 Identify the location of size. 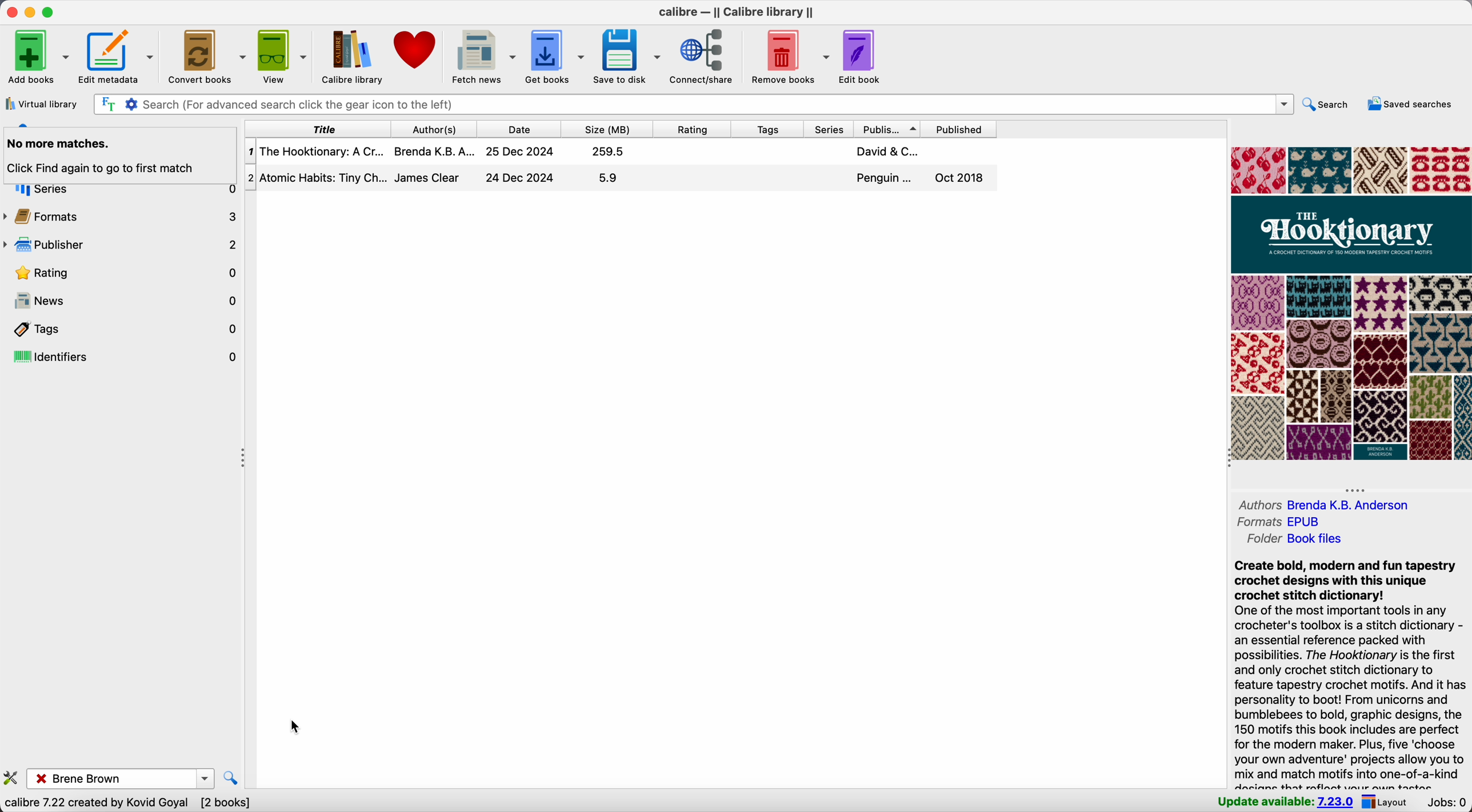
(611, 129).